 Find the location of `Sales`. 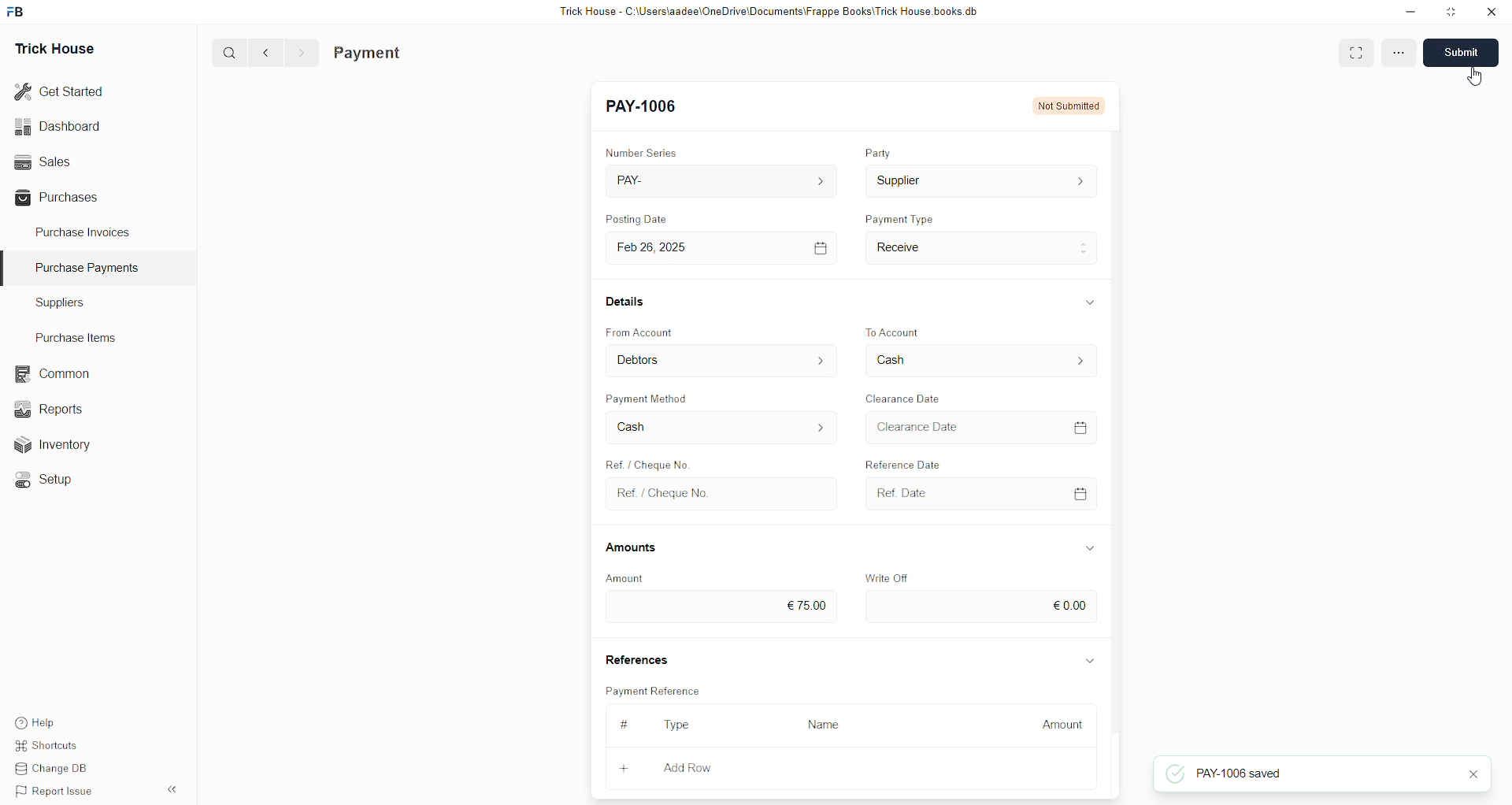

Sales is located at coordinates (45, 161).